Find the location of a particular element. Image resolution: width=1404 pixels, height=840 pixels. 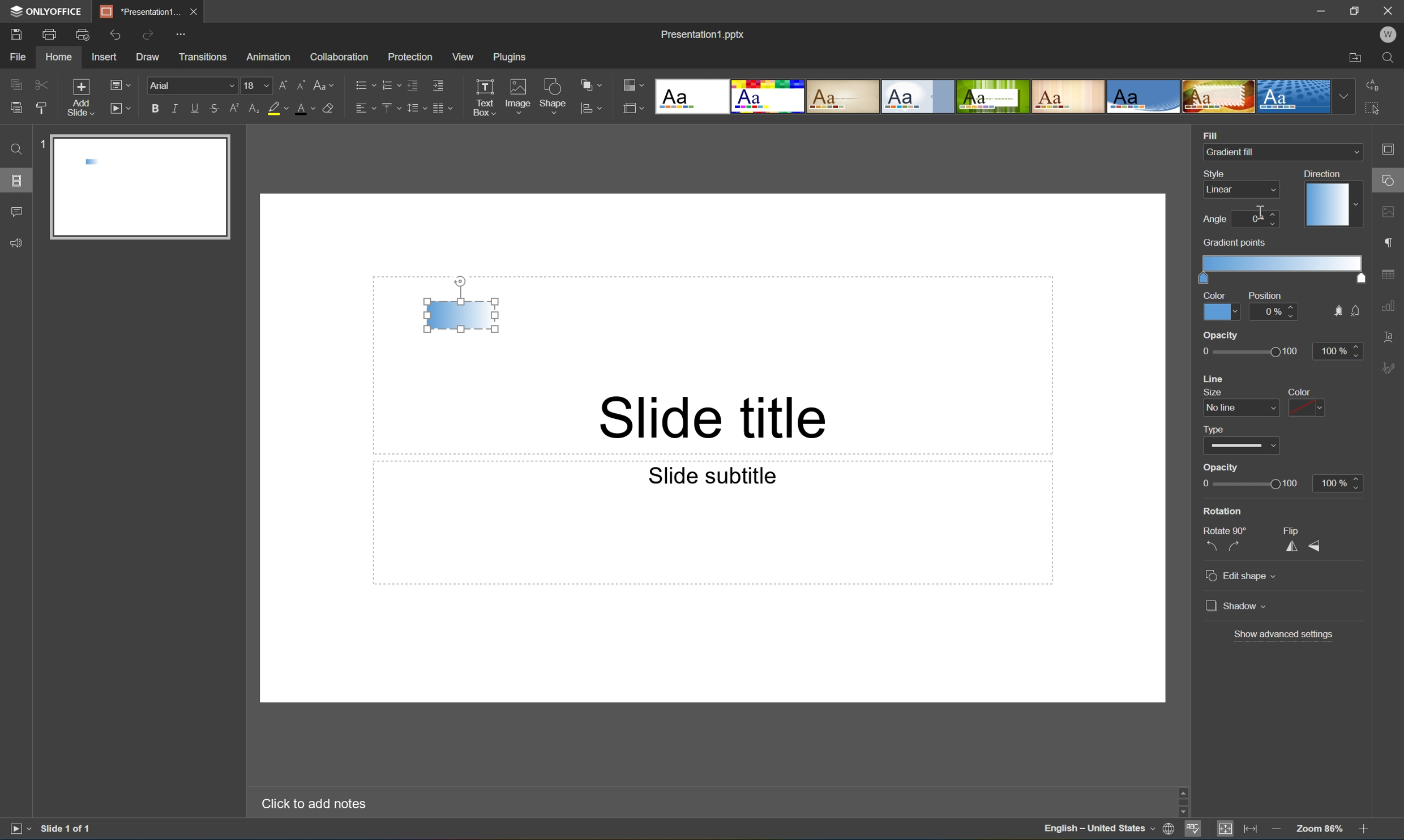

Italic is located at coordinates (174, 109).